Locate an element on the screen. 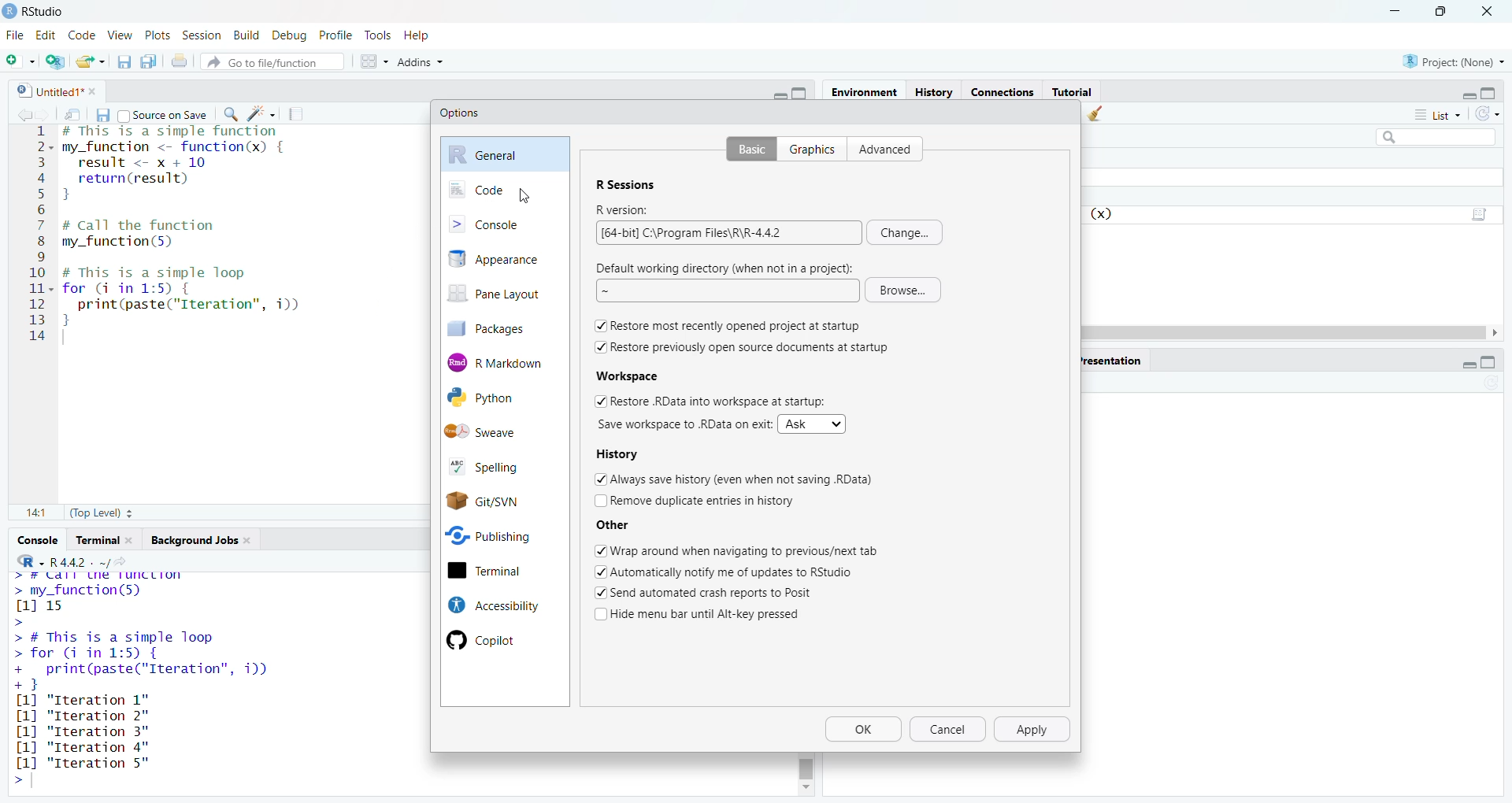  Remove duplicate entries in history is located at coordinates (702, 500).